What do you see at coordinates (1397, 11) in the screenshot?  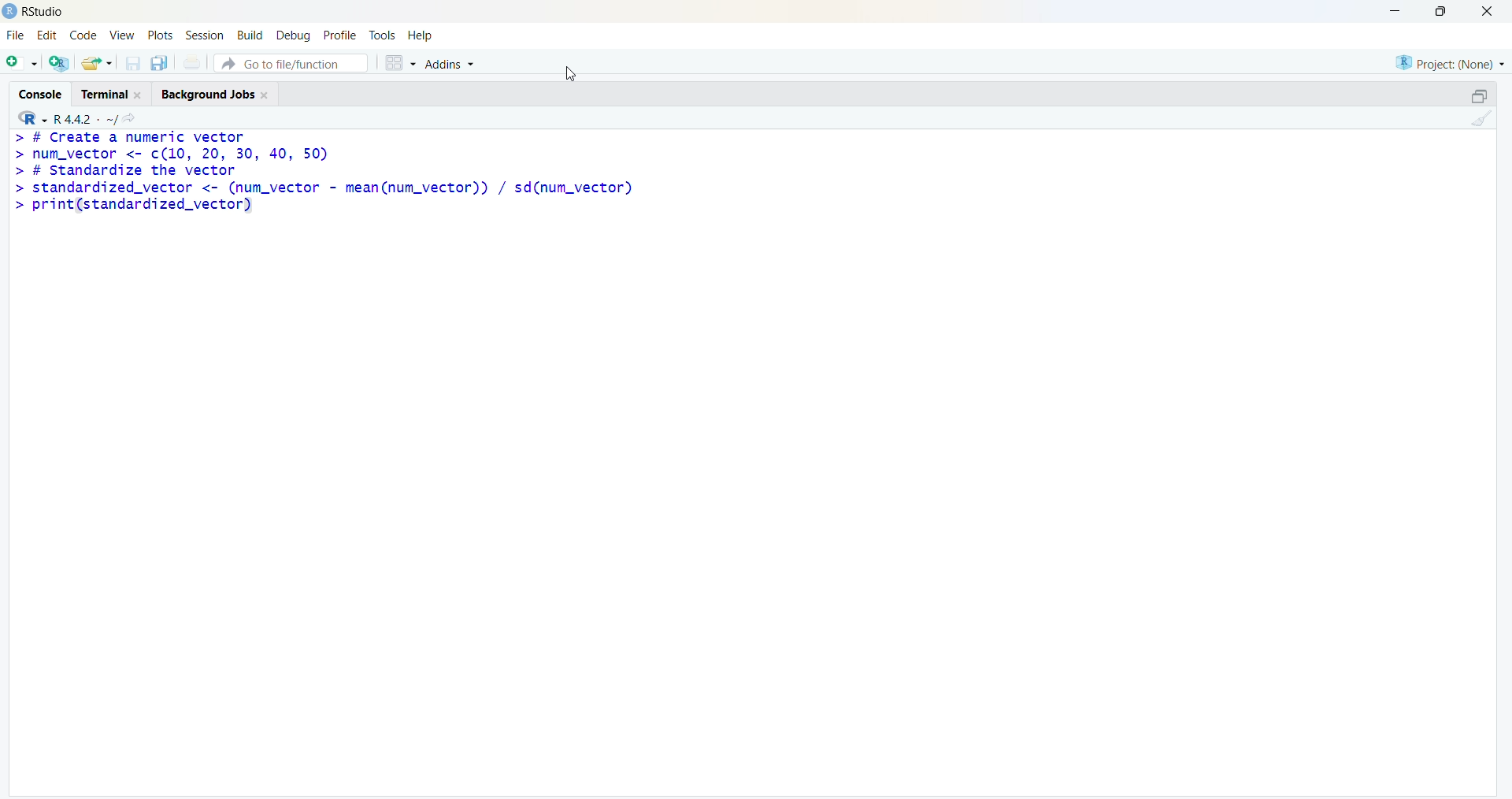 I see `minimise` at bounding box center [1397, 11].